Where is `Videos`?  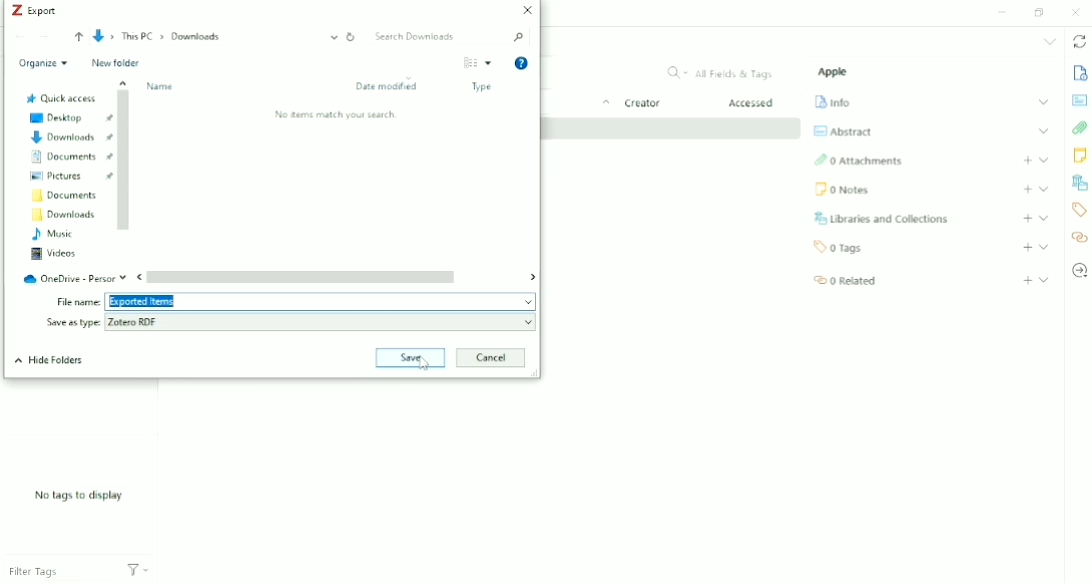
Videos is located at coordinates (53, 254).